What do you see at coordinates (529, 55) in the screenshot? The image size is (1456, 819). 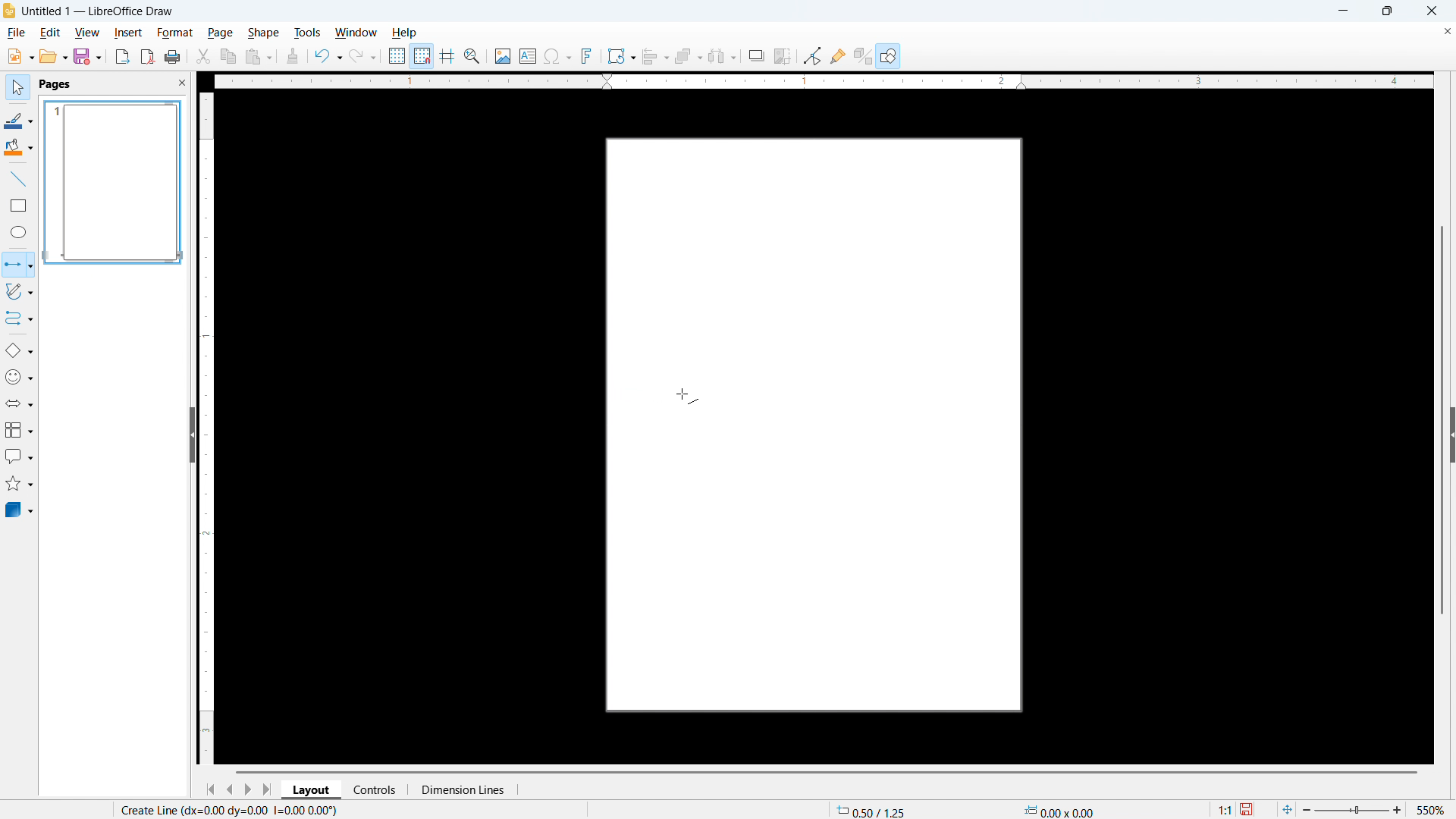 I see `Insert text box ` at bounding box center [529, 55].